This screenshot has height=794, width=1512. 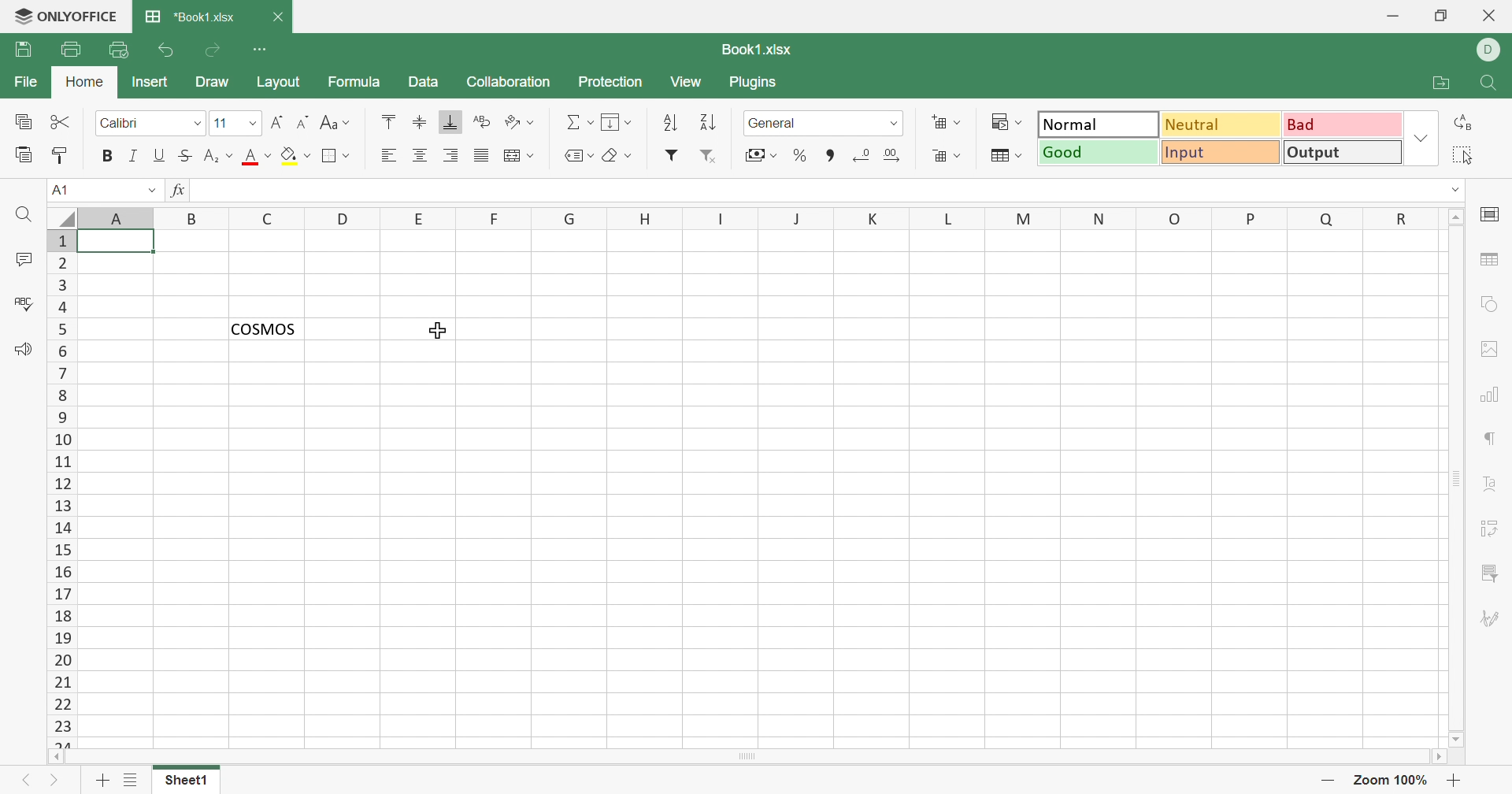 What do you see at coordinates (213, 54) in the screenshot?
I see `Redo` at bounding box center [213, 54].